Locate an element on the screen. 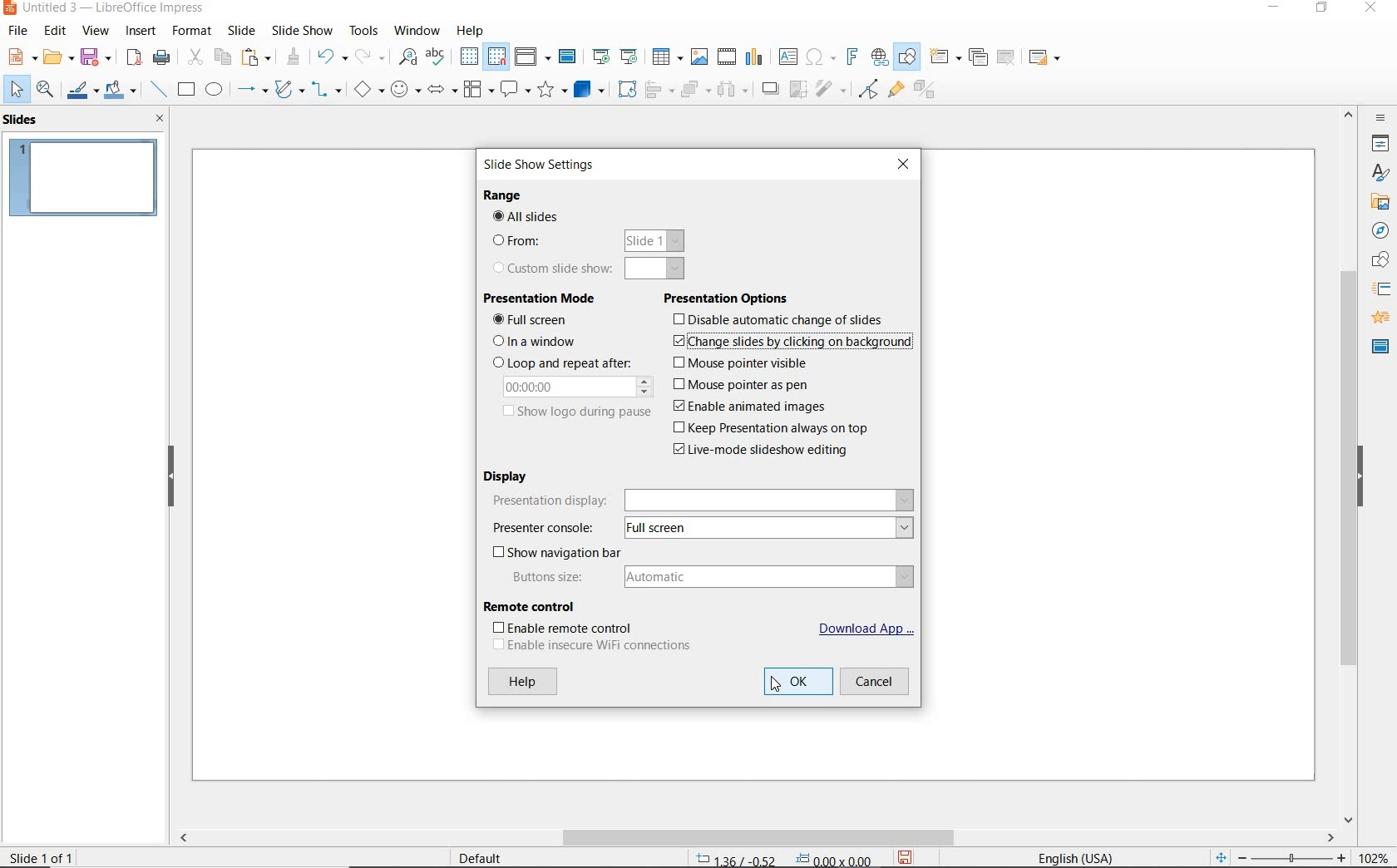  INSERT VIDEO is located at coordinates (727, 57).